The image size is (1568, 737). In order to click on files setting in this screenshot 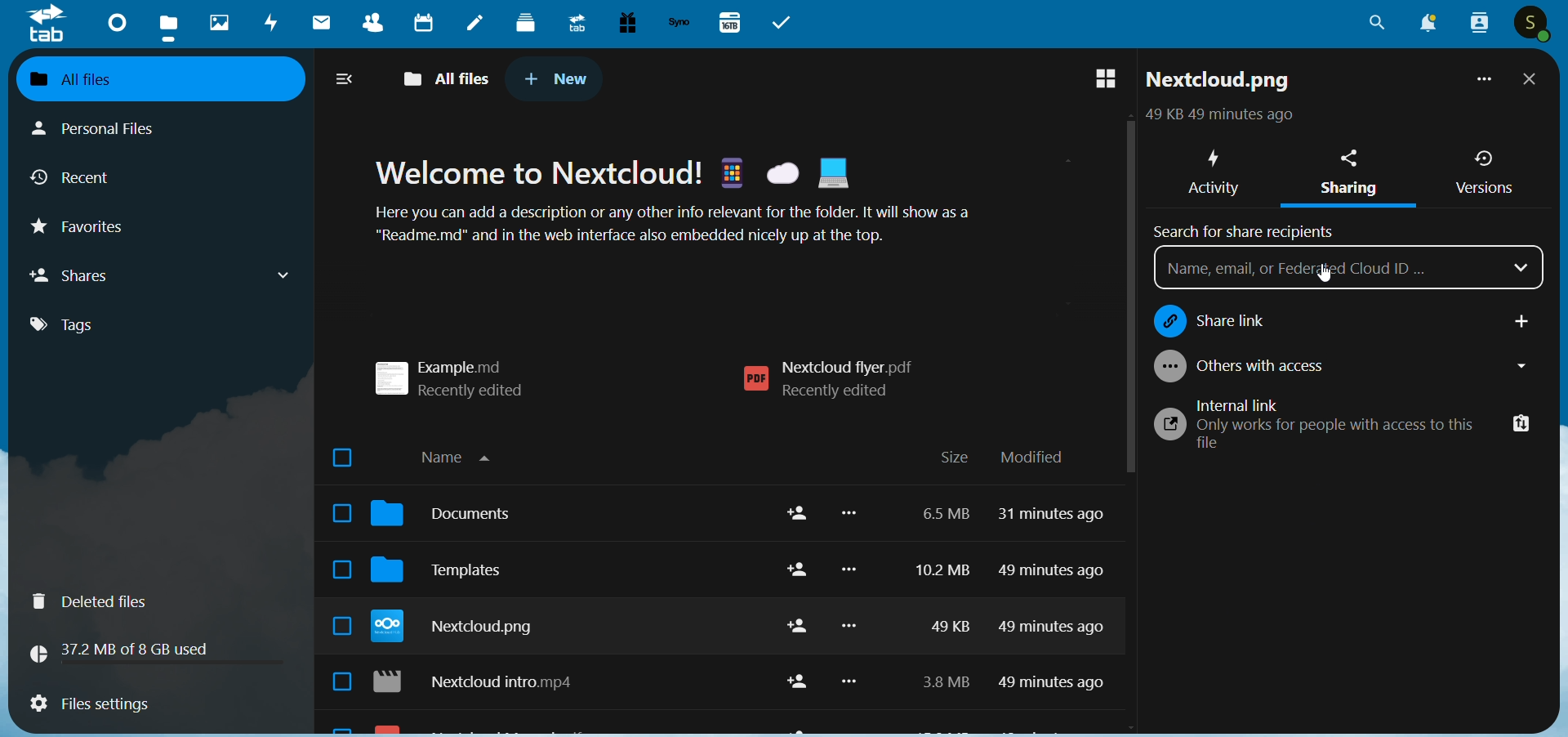, I will do `click(89, 706)`.